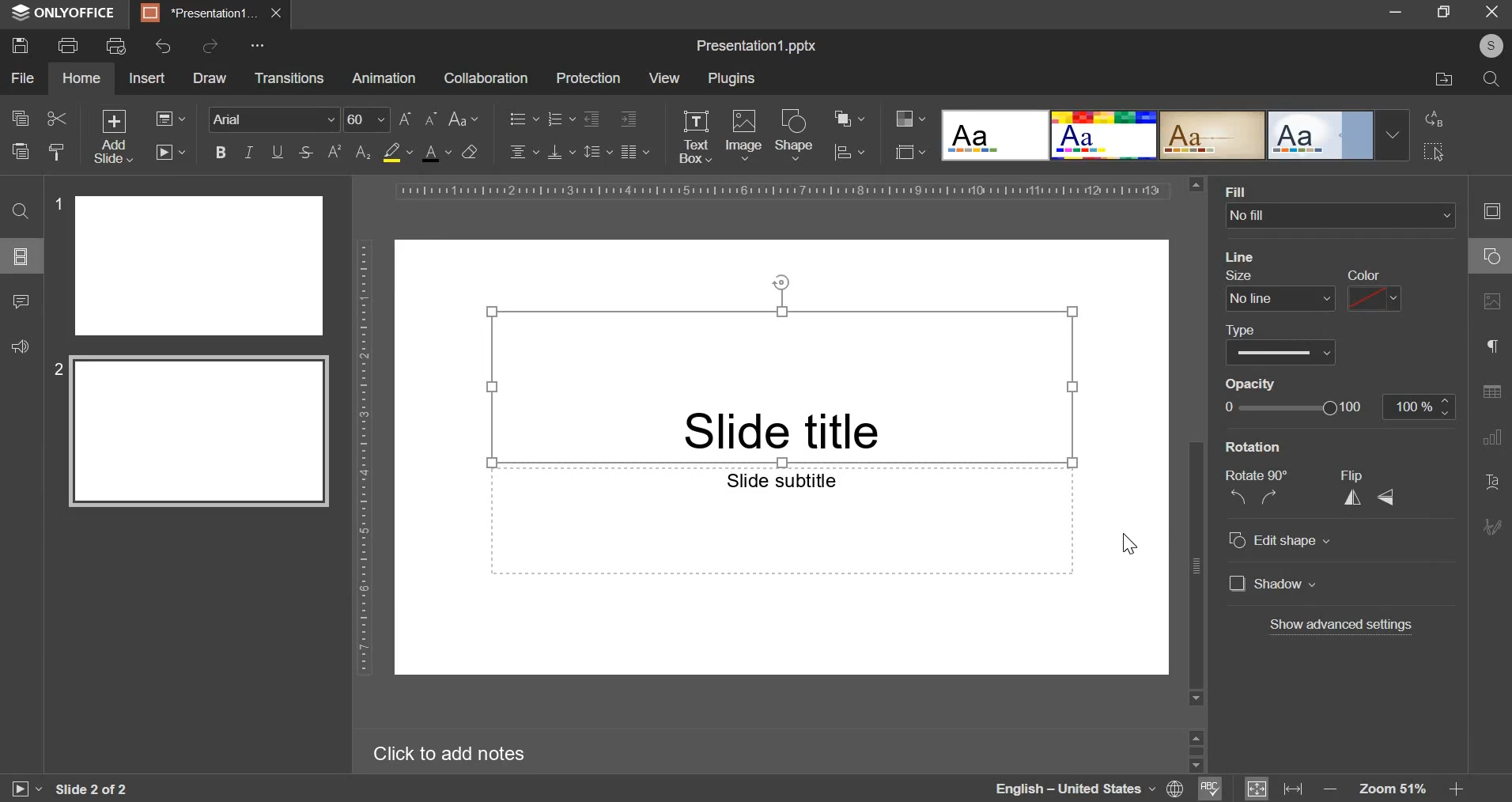 Image resolution: width=1512 pixels, height=802 pixels. I want to click on increase indent, so click(629, 119).